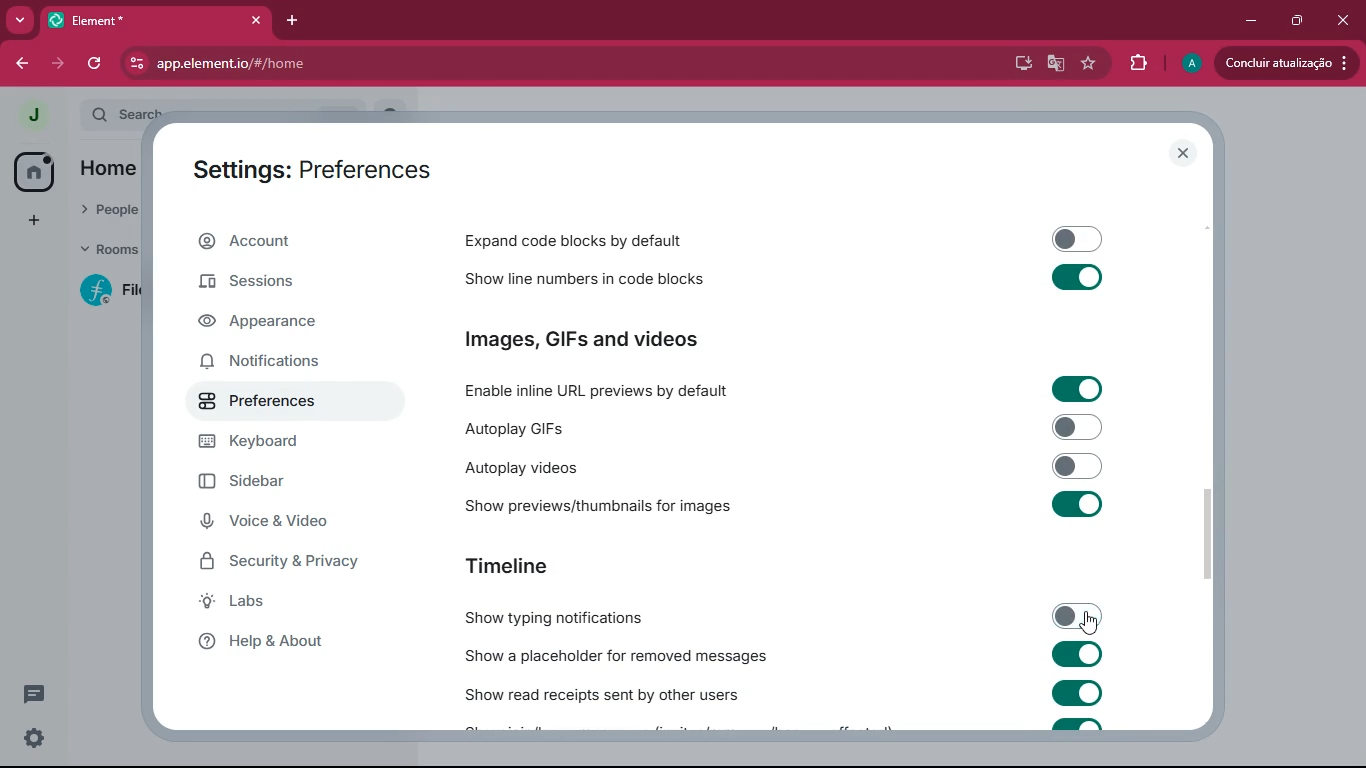 The height and width of the screenshot is (768, 1366). I want to click on vertical scrollbar, so click(1209, 537).